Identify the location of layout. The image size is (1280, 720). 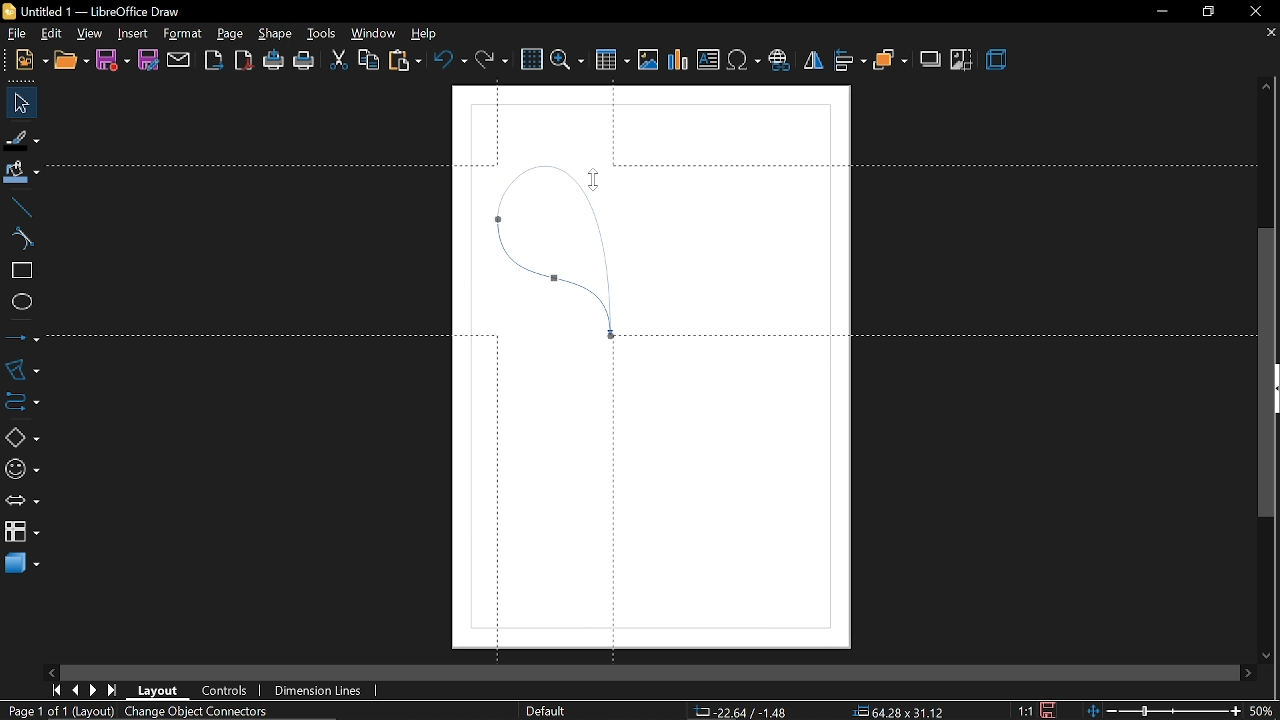
(159, 691).